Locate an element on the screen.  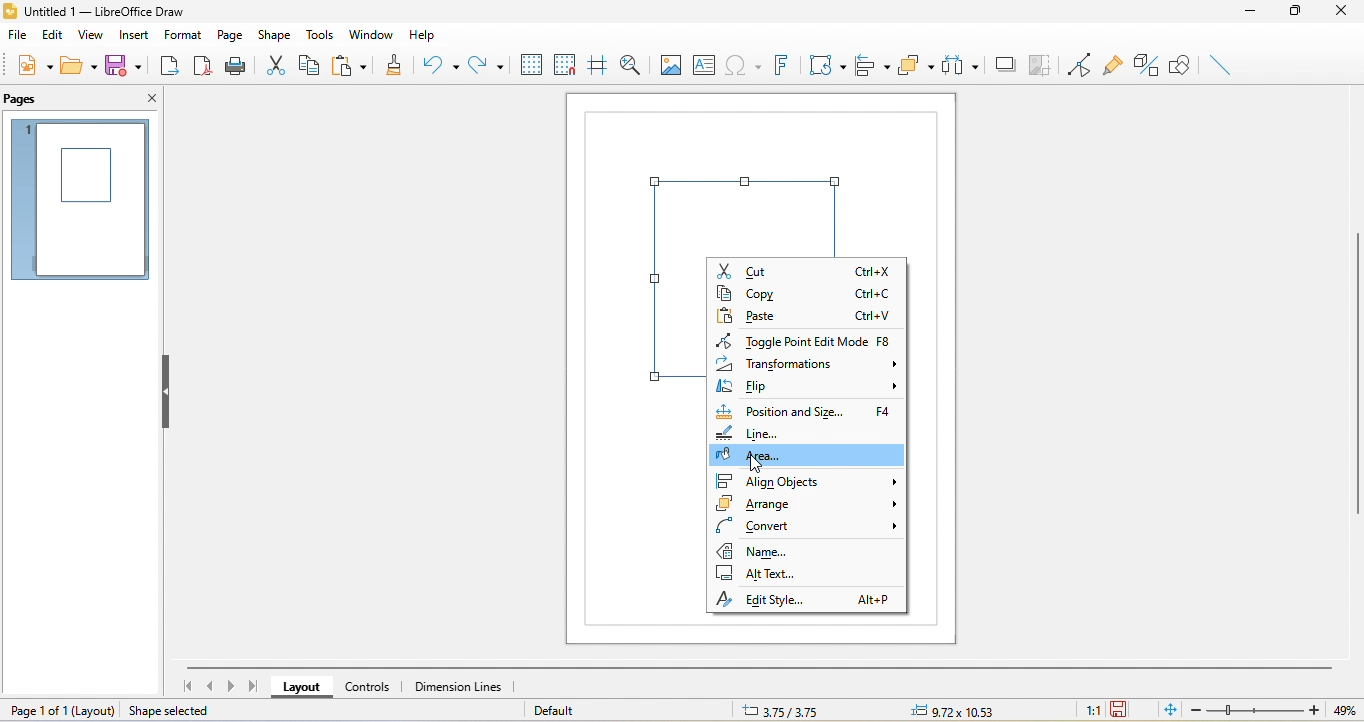
paste is located at coordinates (350, 62).